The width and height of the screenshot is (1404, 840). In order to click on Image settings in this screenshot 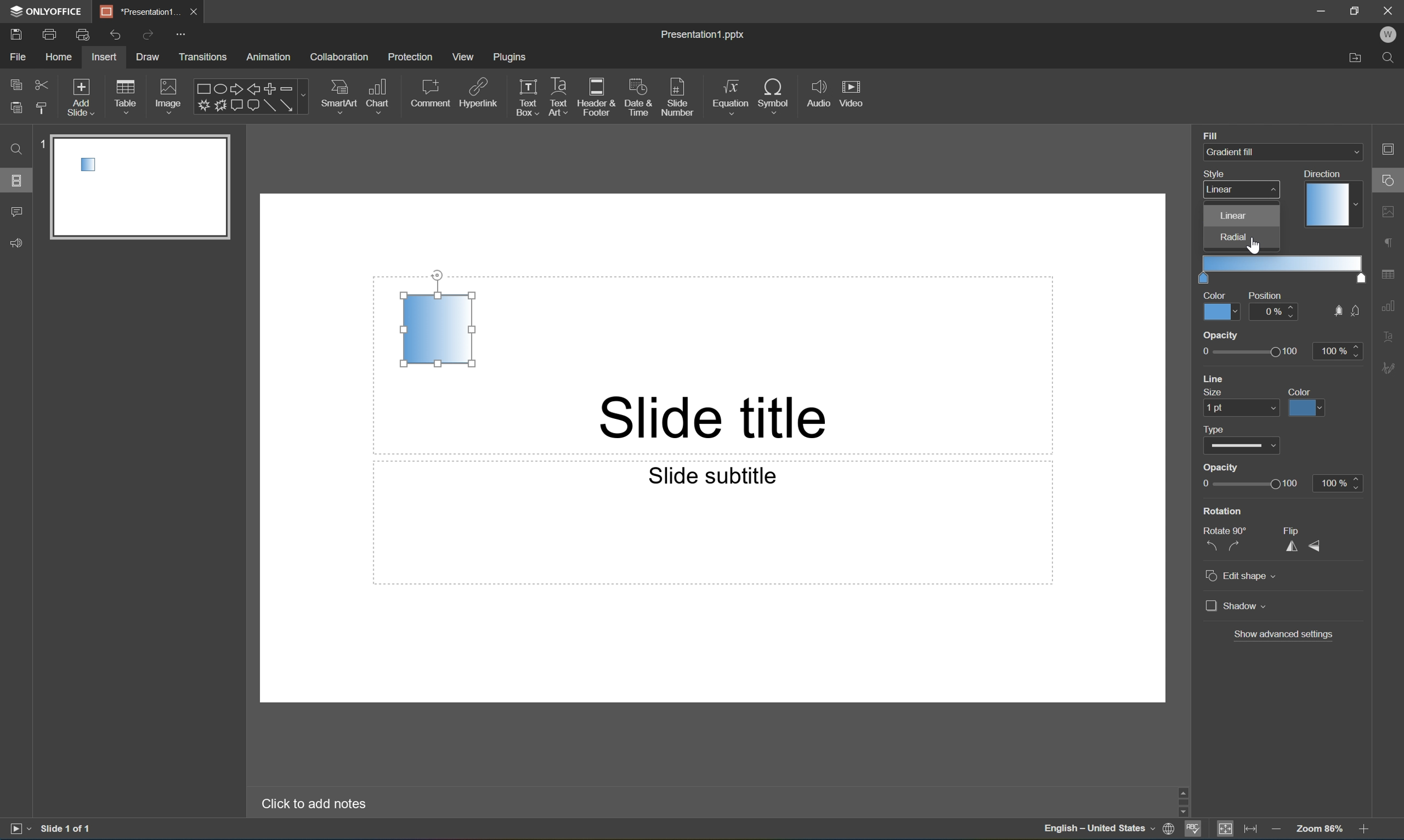, I will do `click(1392, 209)`.